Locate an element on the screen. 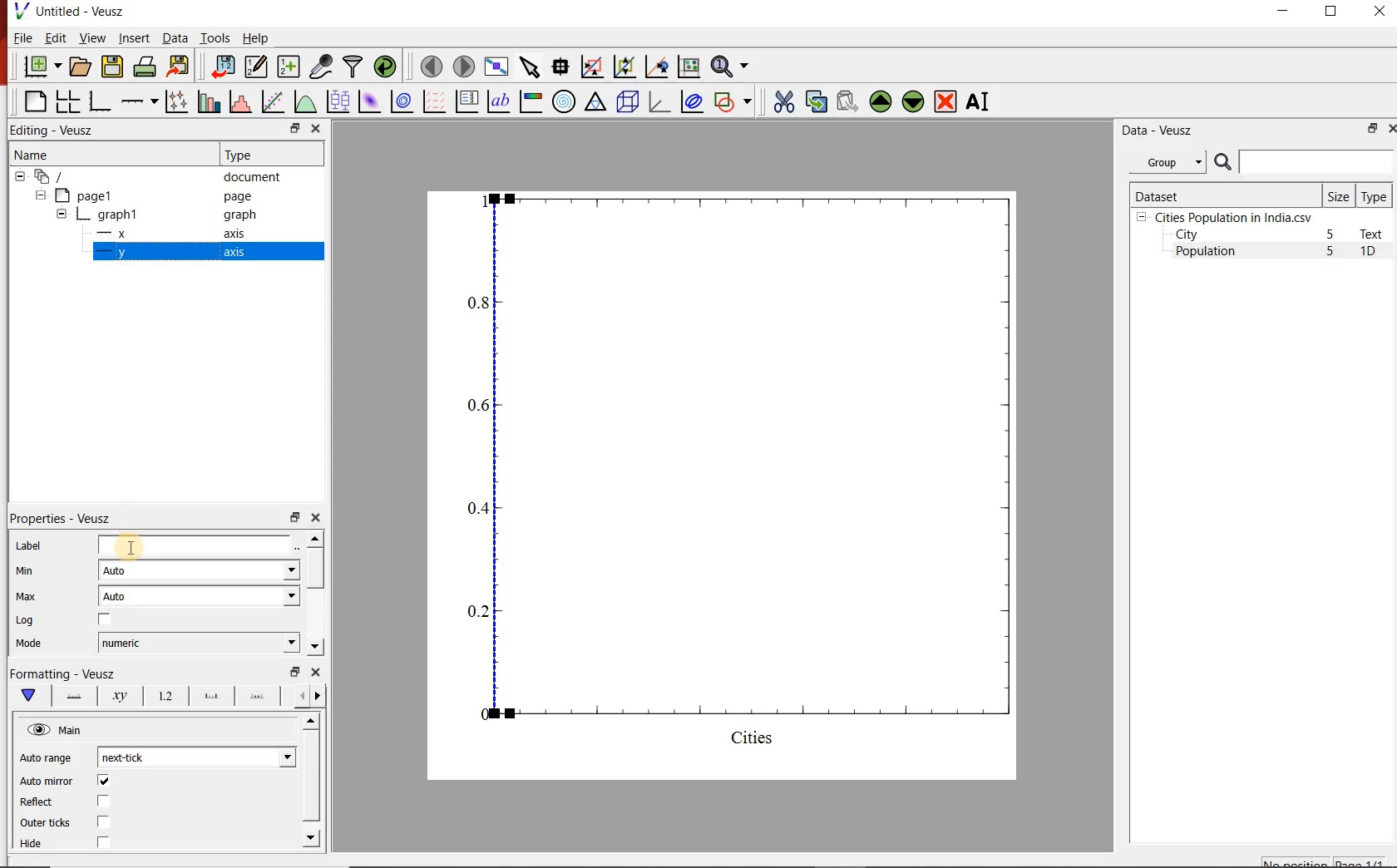 Image resolution: width=1397 pixels, height=868 pixels. read data points on the graph is located at coordinates (560, 65).